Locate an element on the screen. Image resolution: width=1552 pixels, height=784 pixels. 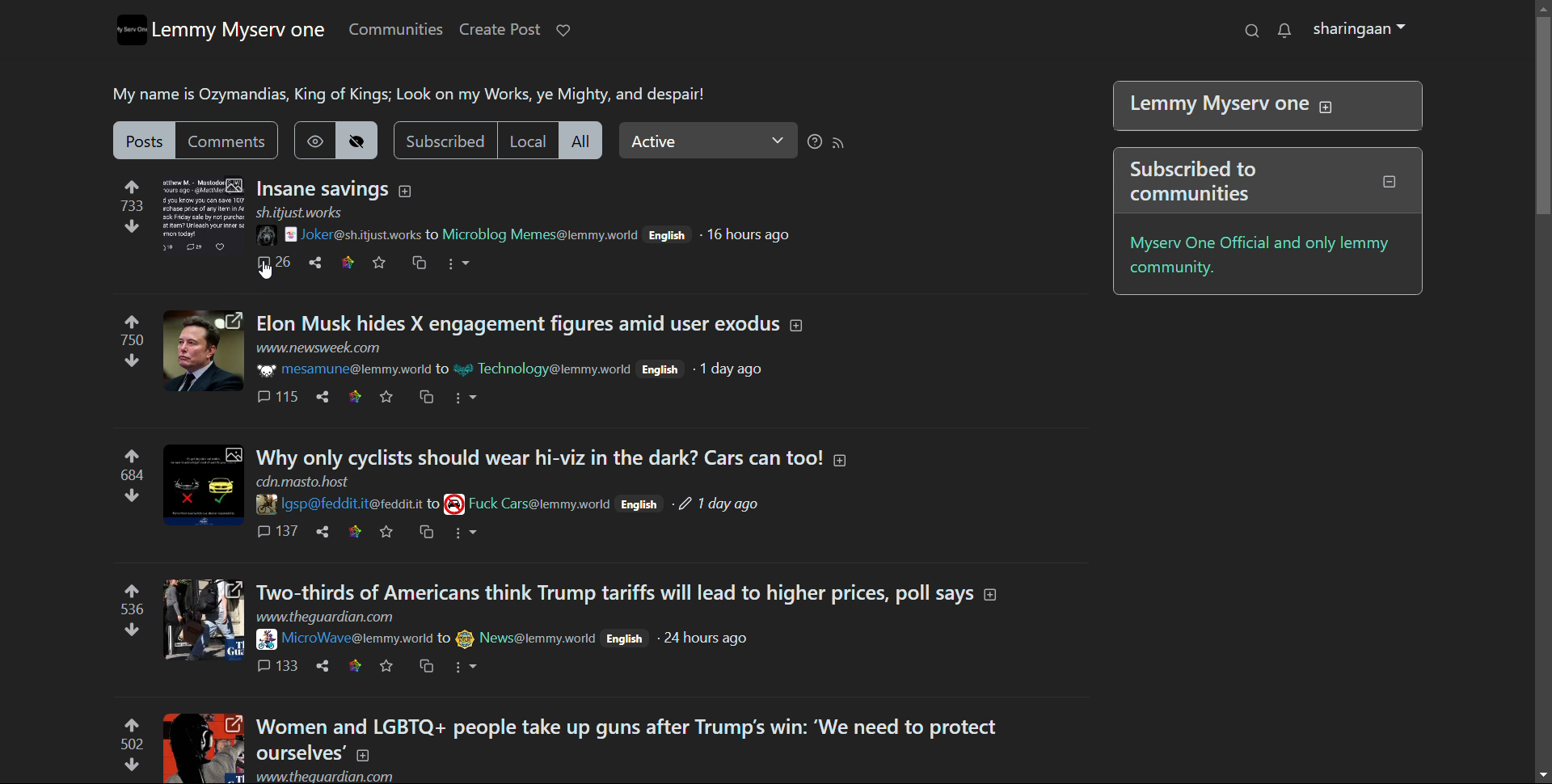
url is located at coordinates (318, 348).